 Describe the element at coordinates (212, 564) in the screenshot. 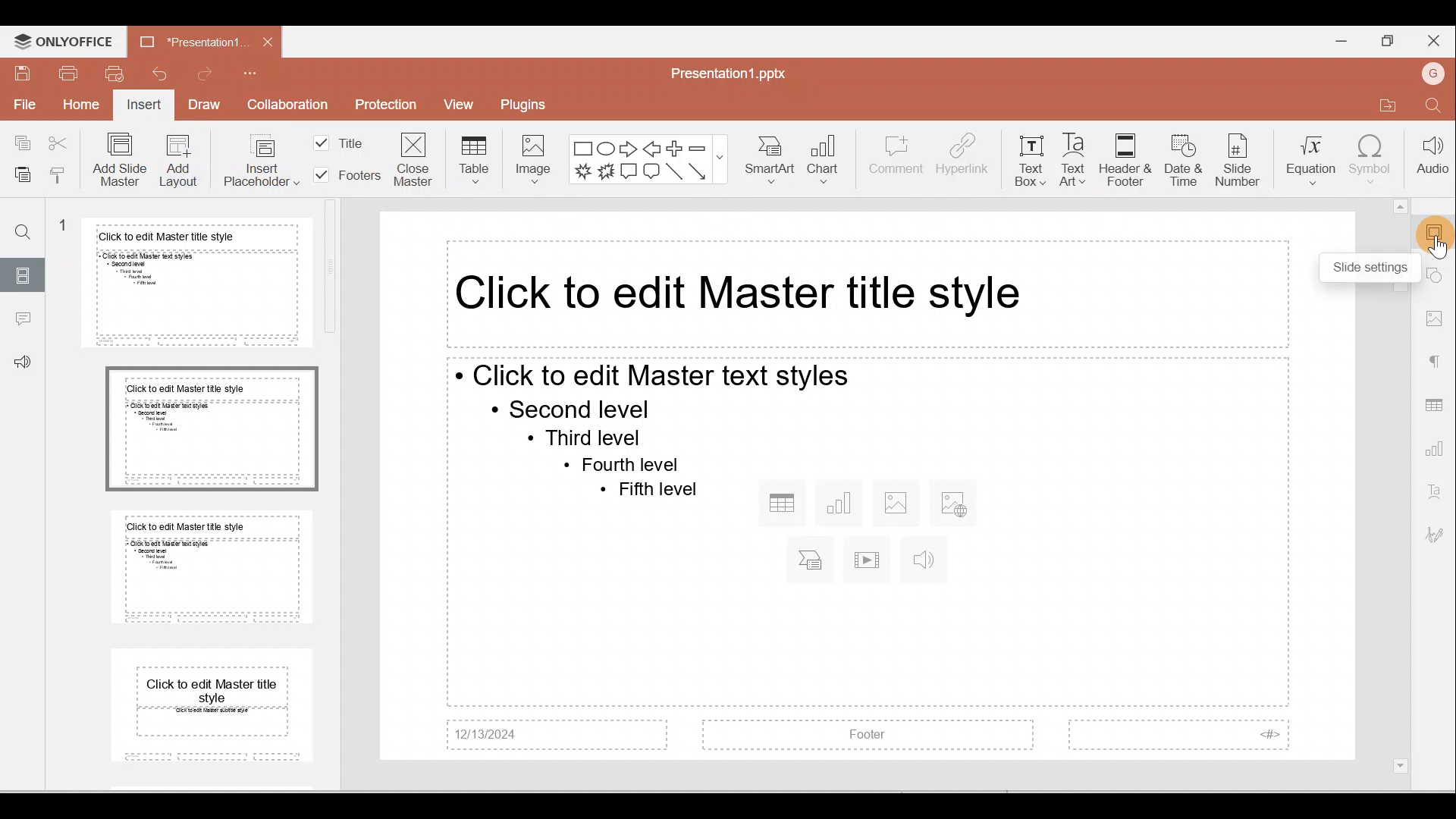

I see `Master slide 3` at that location.